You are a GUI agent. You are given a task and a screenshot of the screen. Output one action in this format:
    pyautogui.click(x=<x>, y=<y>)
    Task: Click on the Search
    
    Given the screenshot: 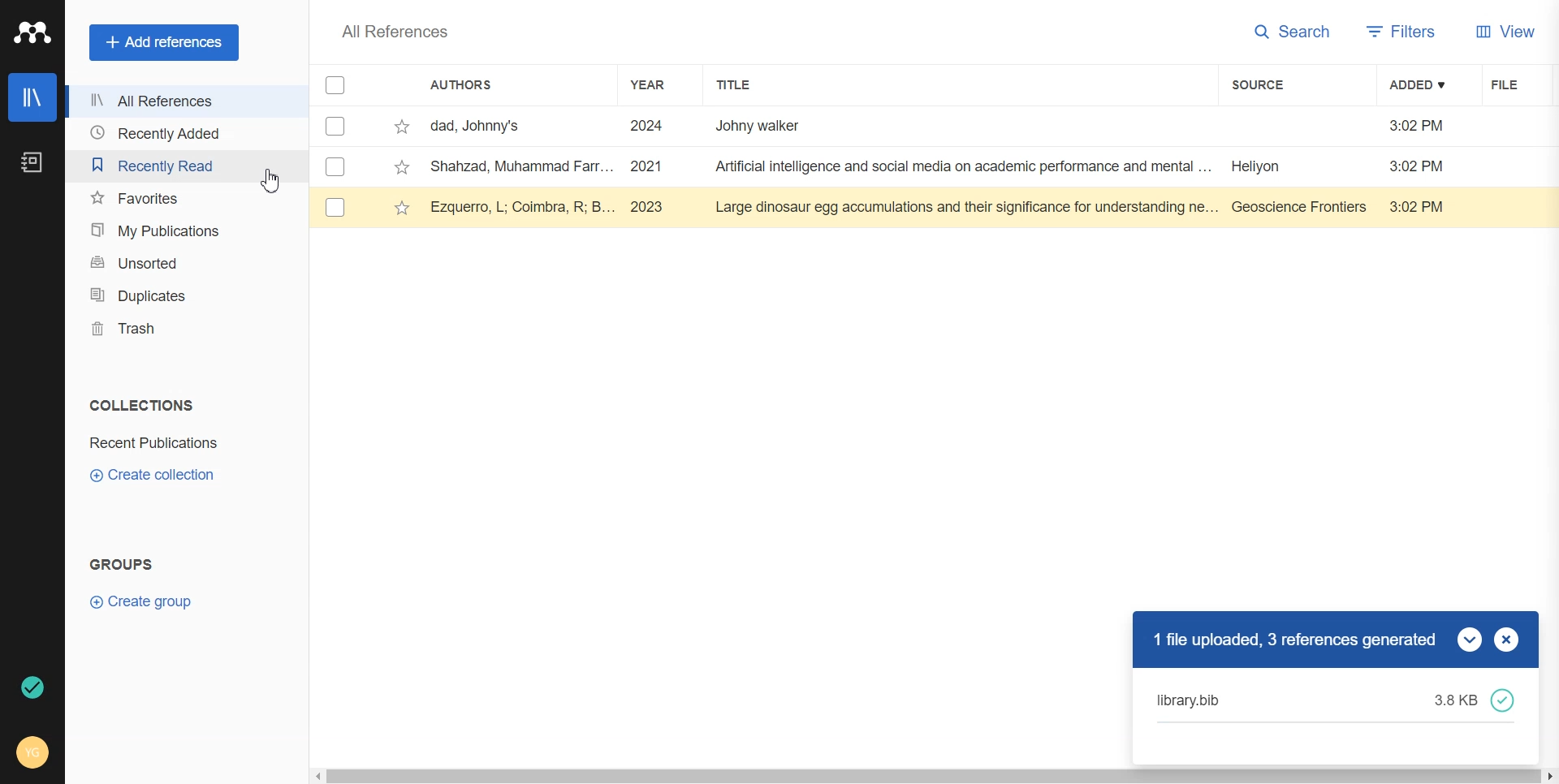 What is the action you would take?
    pyautogui.click(x=1295, y=32)
    